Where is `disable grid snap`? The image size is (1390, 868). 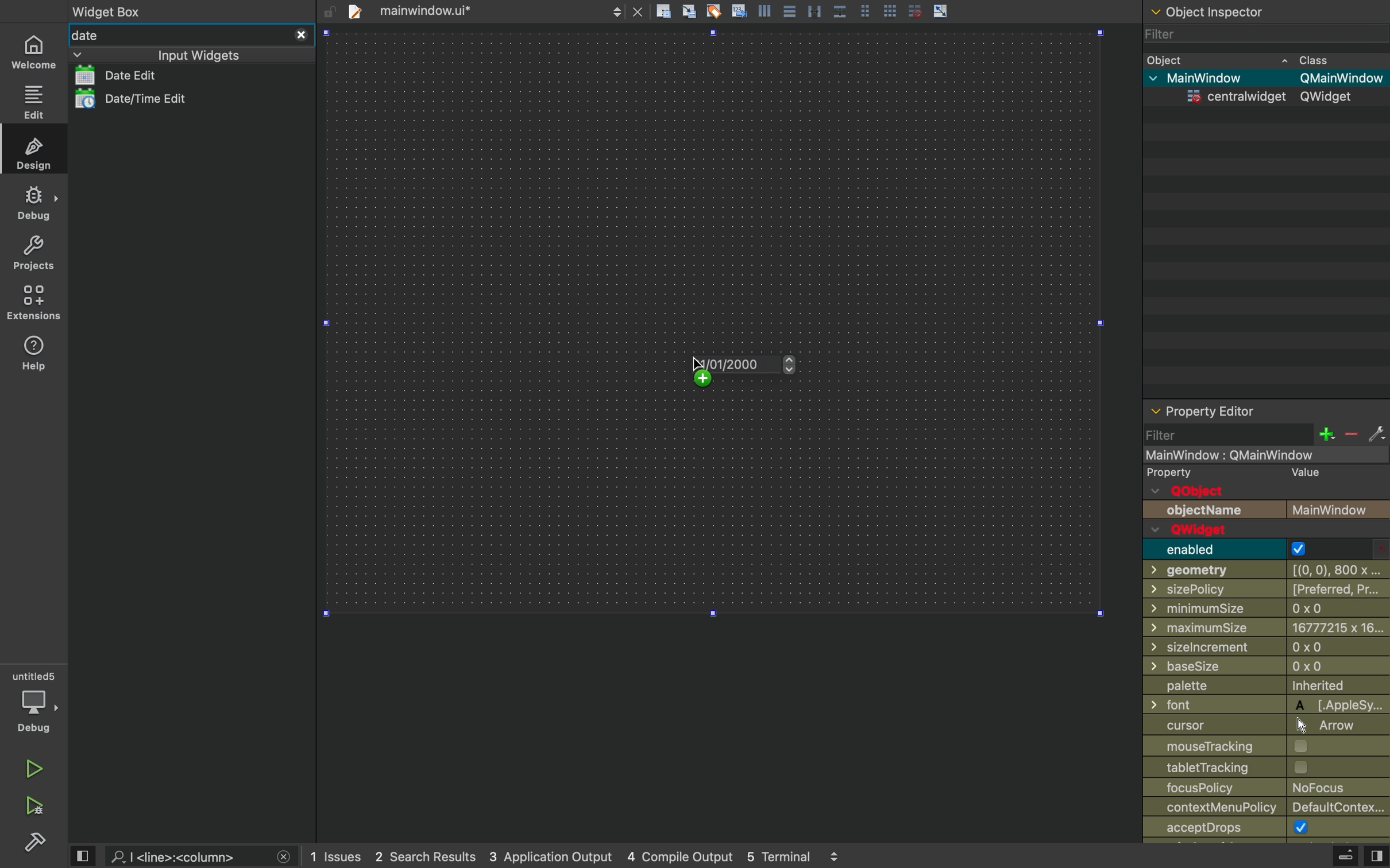 disable grid snap is located at coordinates (916, 10).